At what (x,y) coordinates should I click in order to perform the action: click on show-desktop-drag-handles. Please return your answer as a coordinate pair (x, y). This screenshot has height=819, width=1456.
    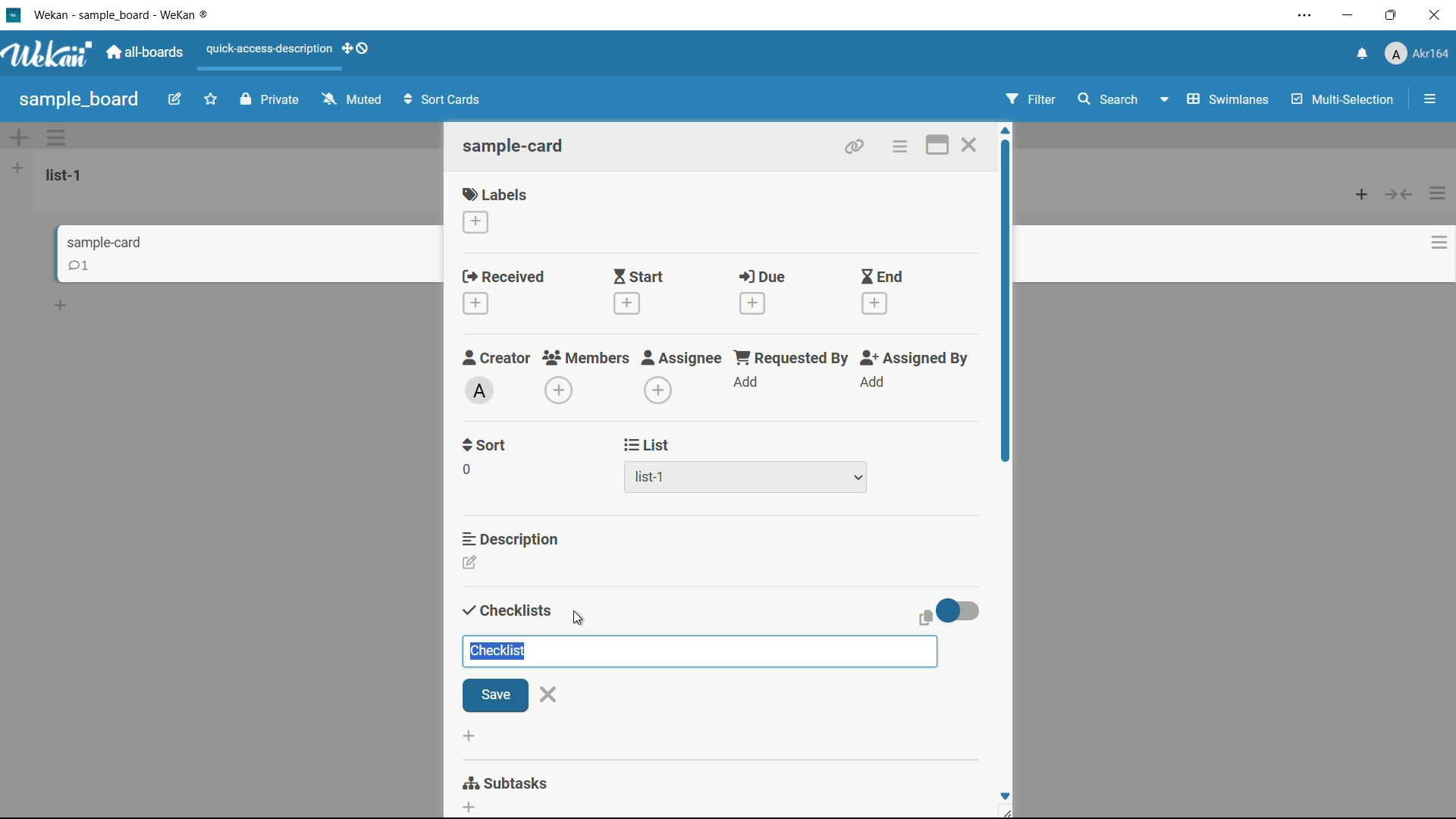
    Looking at the image, I should click on (362, 49).